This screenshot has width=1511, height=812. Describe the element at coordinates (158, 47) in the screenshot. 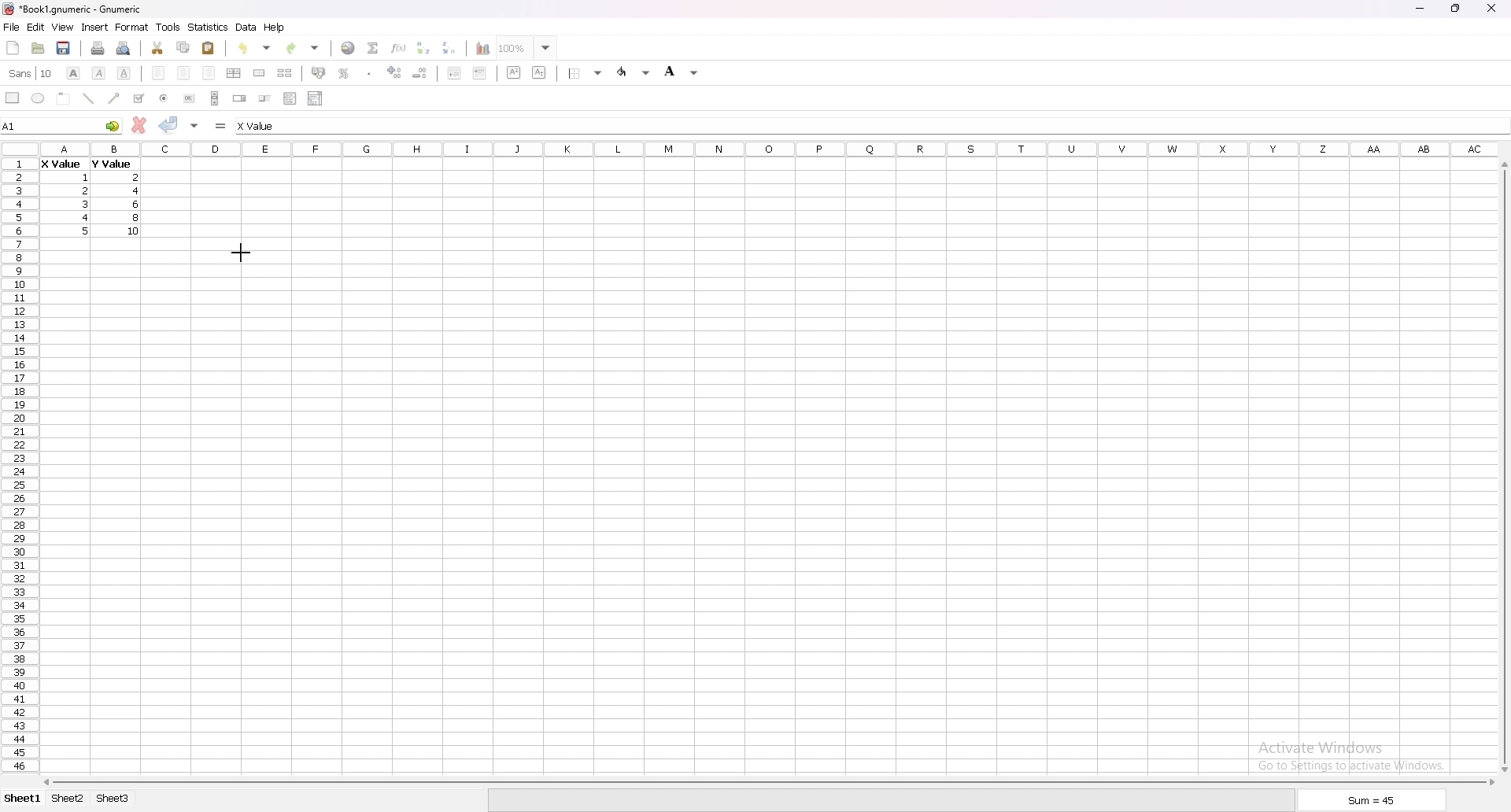

I see `cut` at that location.